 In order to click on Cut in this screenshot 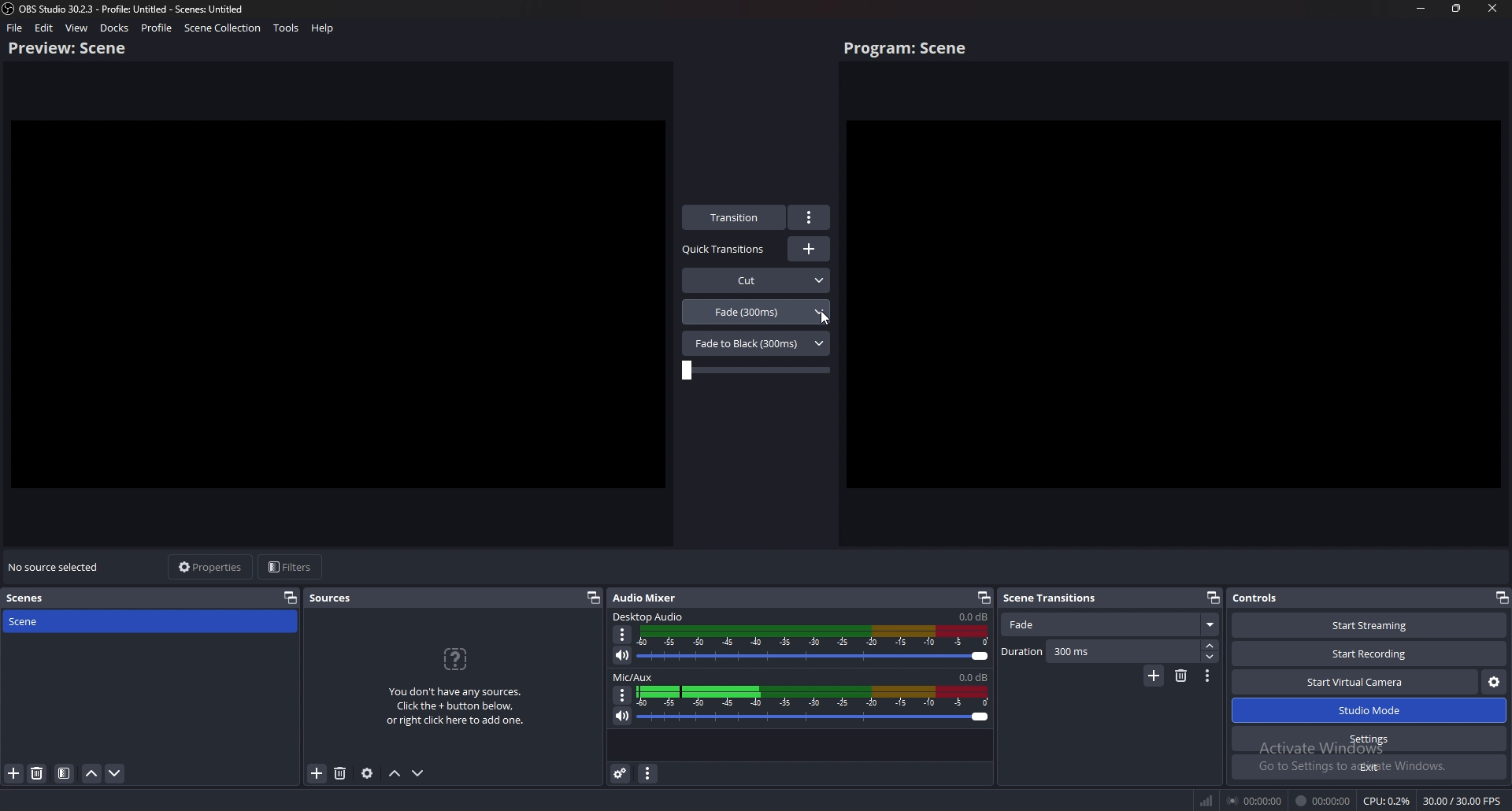, I will do `click(757, 279)`.